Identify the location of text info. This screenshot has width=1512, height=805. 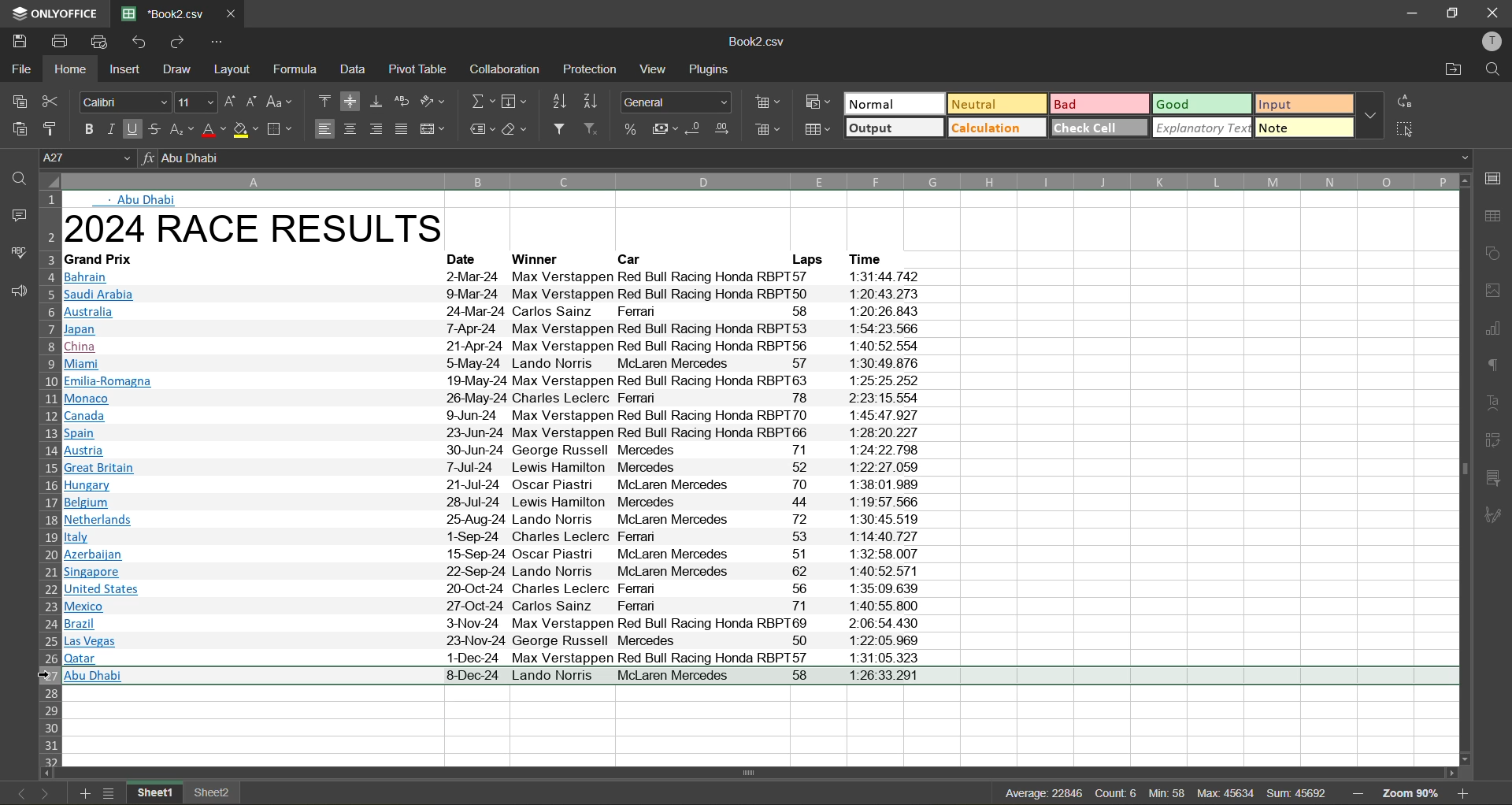
(490, 640).